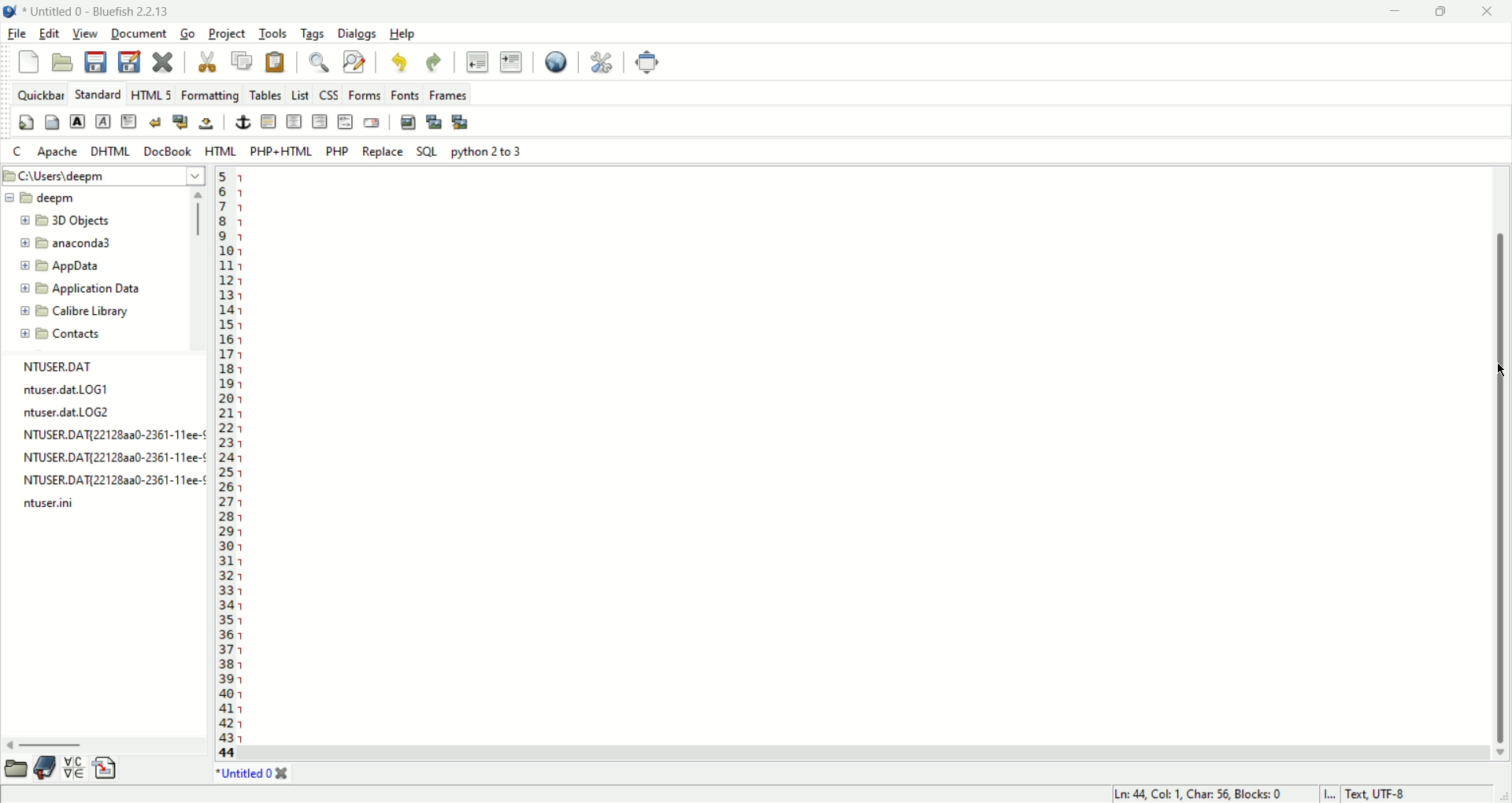 Image resolution: width=1512 pixels, height=803 pixels. Describe the element at coordinates (344, 121) in the screenshot. I see `HTML comment` at that location.